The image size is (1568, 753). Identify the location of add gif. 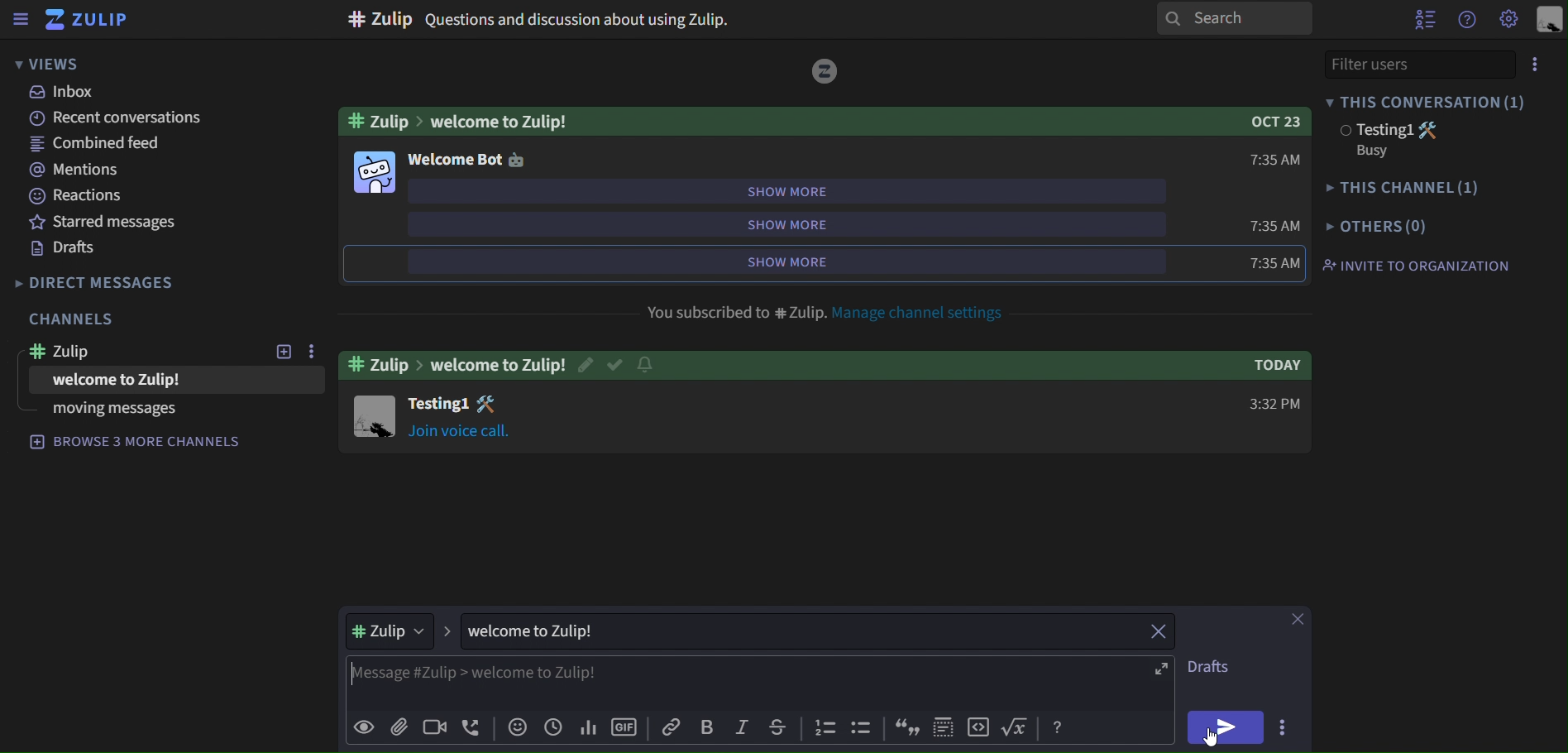
(624, 727).